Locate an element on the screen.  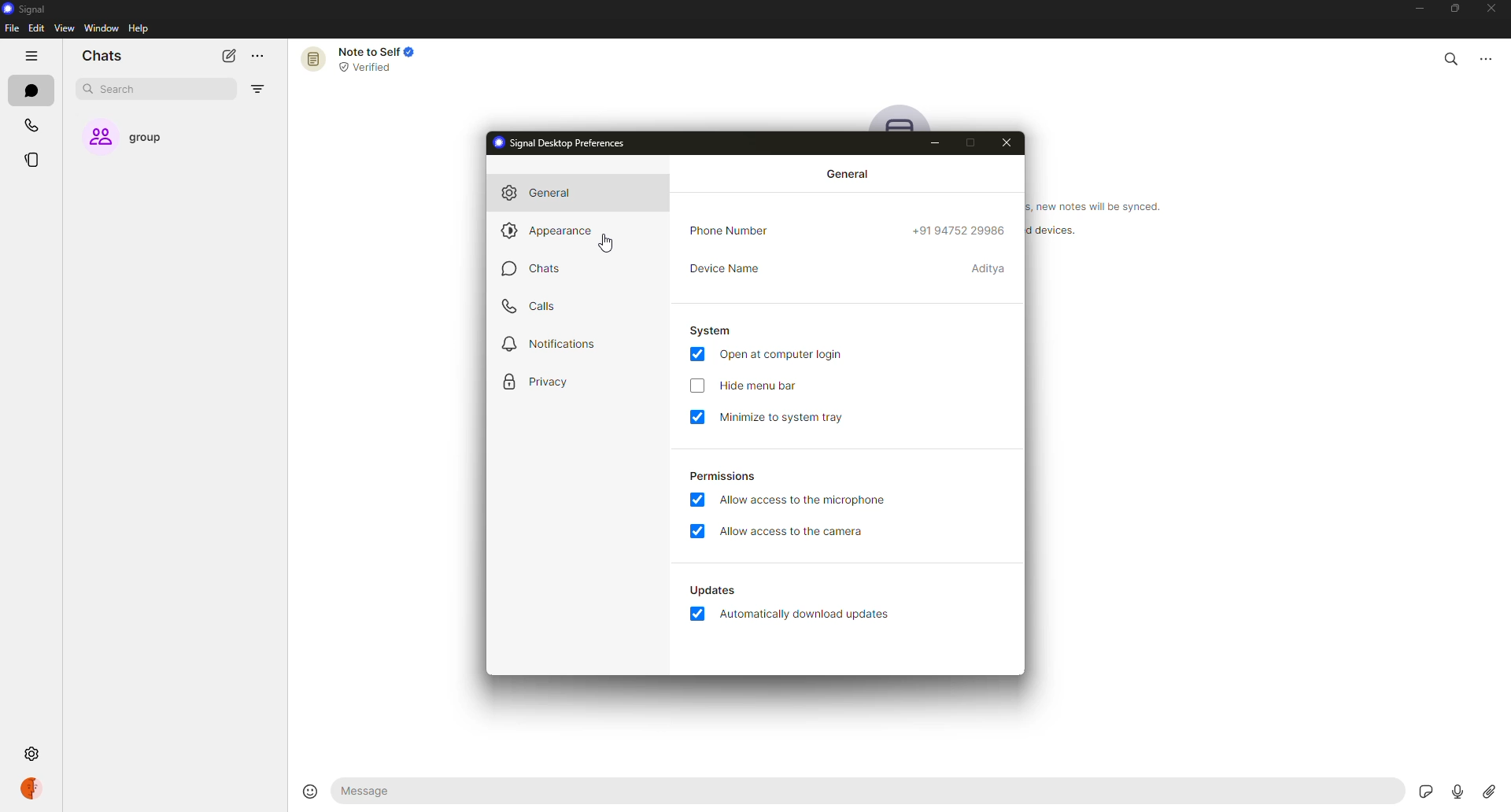
search is located at coordinates (123, 90).